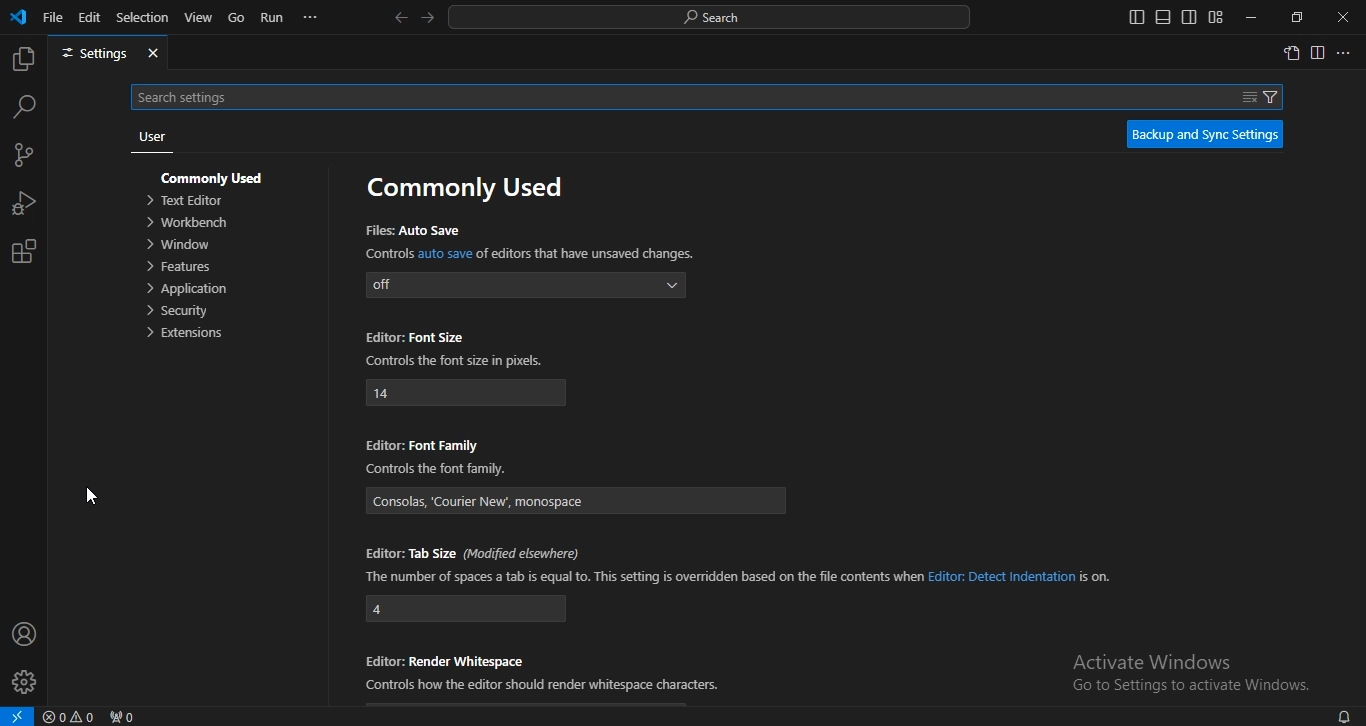 The width and height of the screenshot is (1366, 726). Describe the element at coordinates (547, 672) in the screenshot. I see `Editor: Render Whitespace
Controls how the editor should render whitespace characters.` at that location.